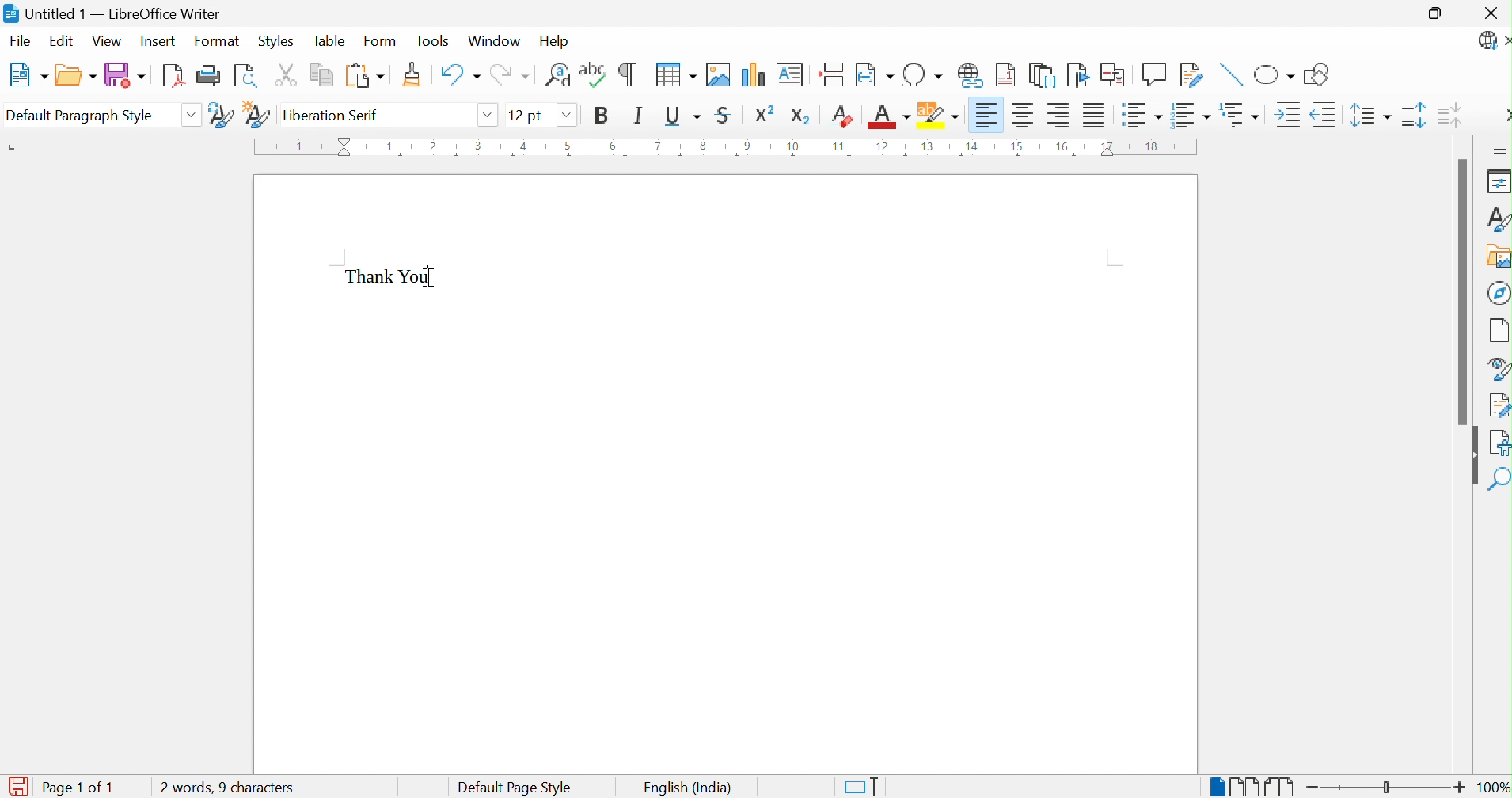  I want to click on Italic, so click(642, 115).